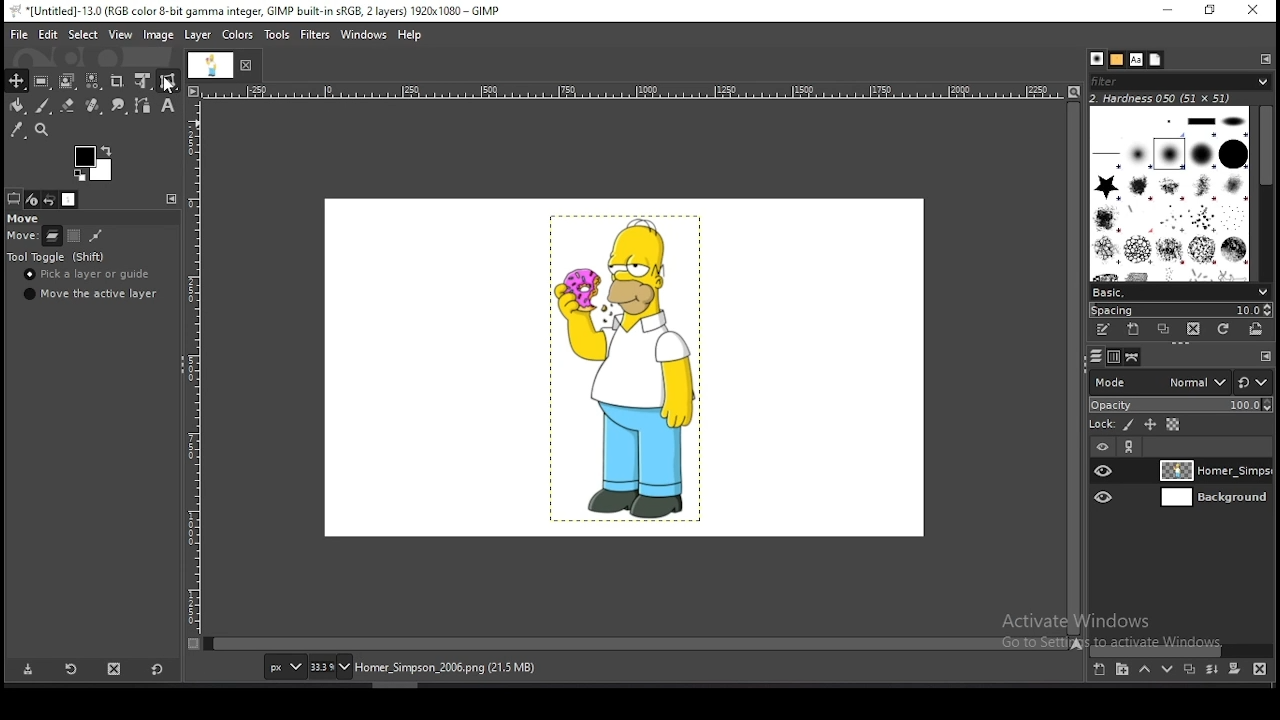  I want to click on channels, so click(1112, 356).